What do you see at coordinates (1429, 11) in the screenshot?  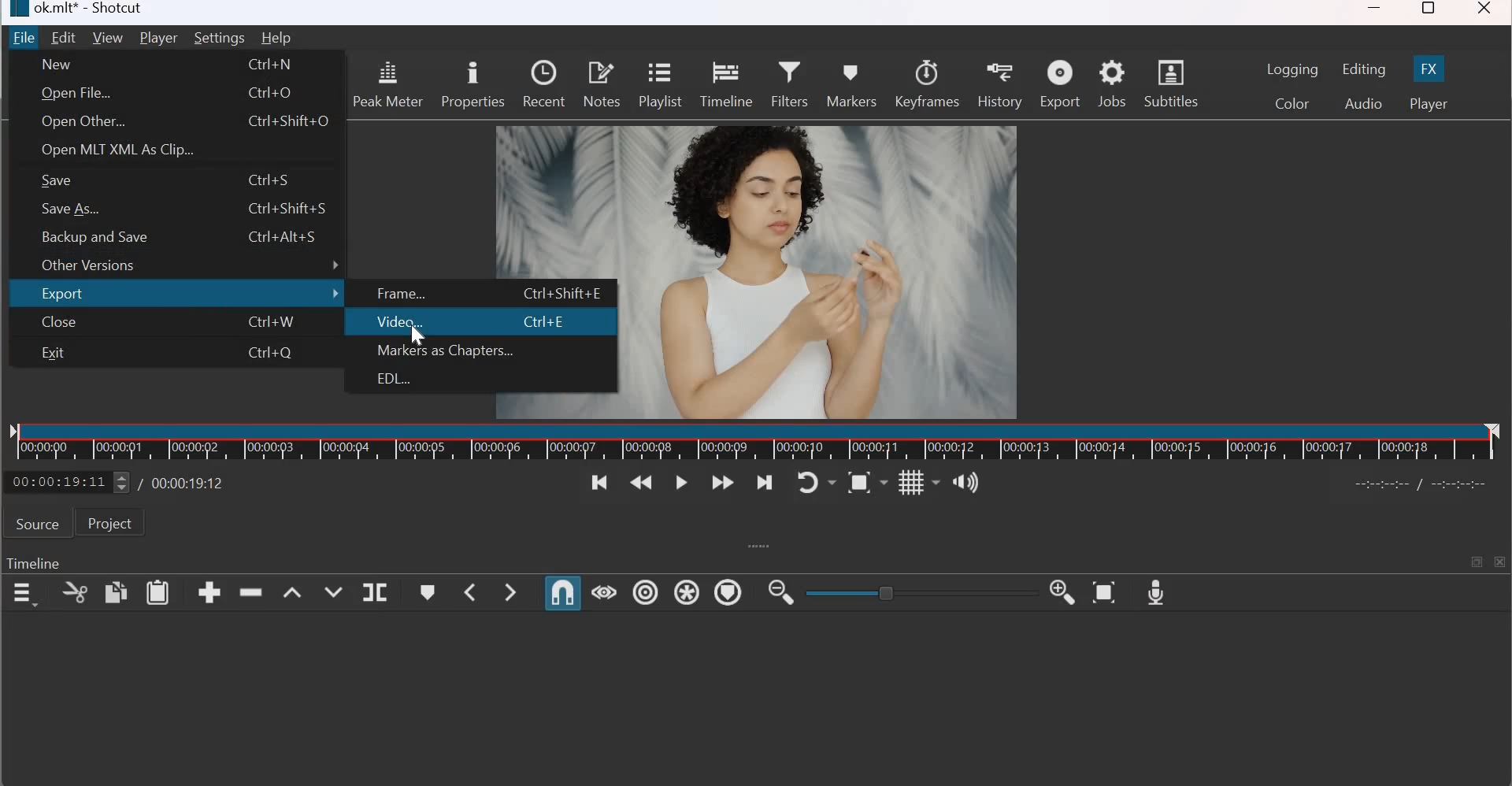 I see `Maximize` at bounding box center [1429, 11].